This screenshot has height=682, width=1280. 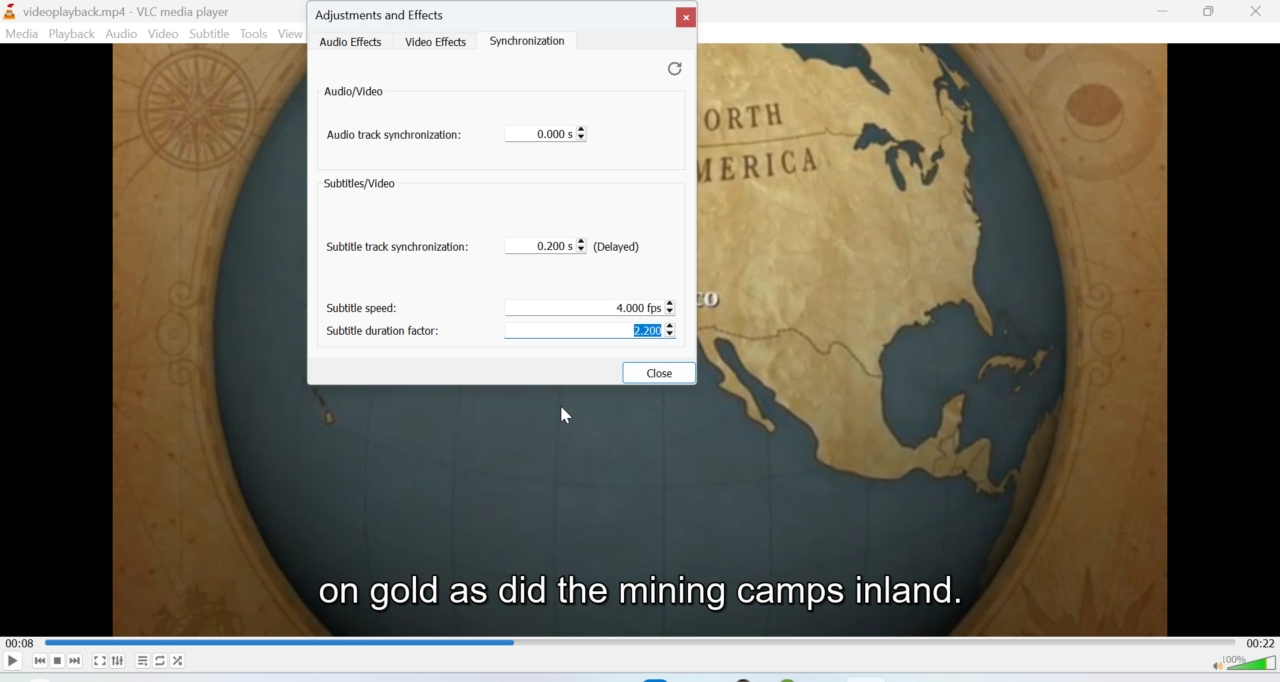 I want to click on view, so click(x=289, y=33).